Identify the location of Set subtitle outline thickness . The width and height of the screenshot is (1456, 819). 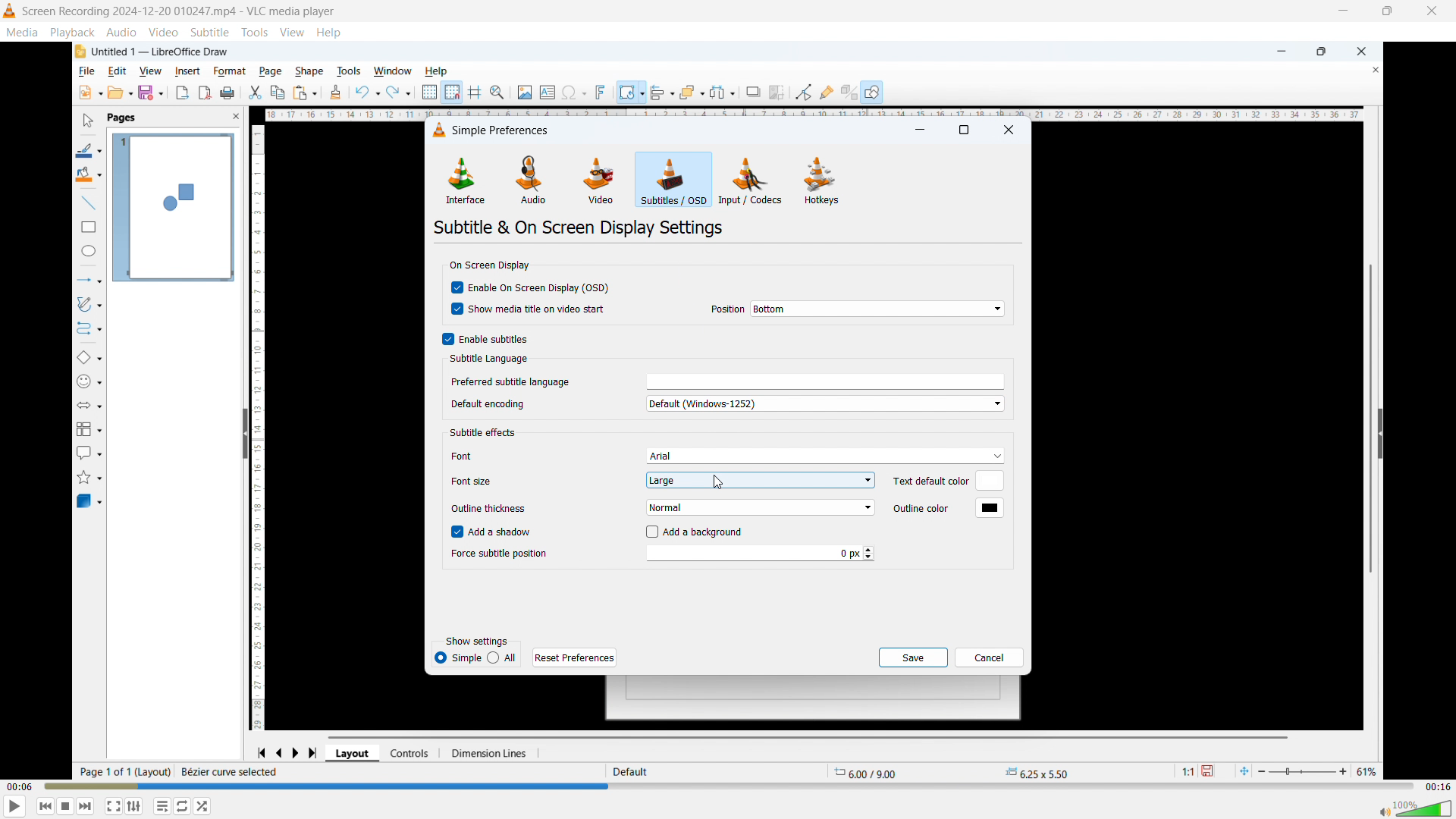
(761, 507).